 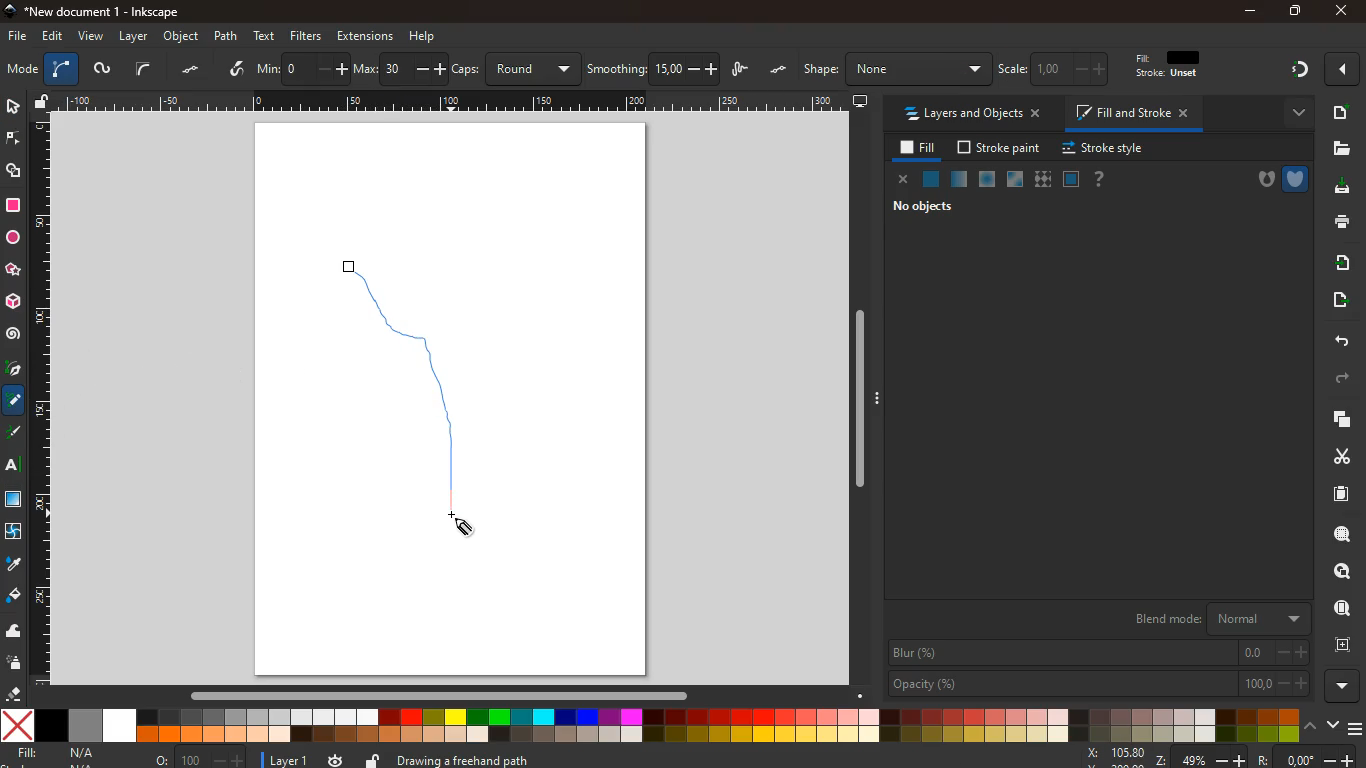 What do you see at coordinates (1001, 147) in the screenshot?
I see `stroke paint` at bounding box center [1001, 147].